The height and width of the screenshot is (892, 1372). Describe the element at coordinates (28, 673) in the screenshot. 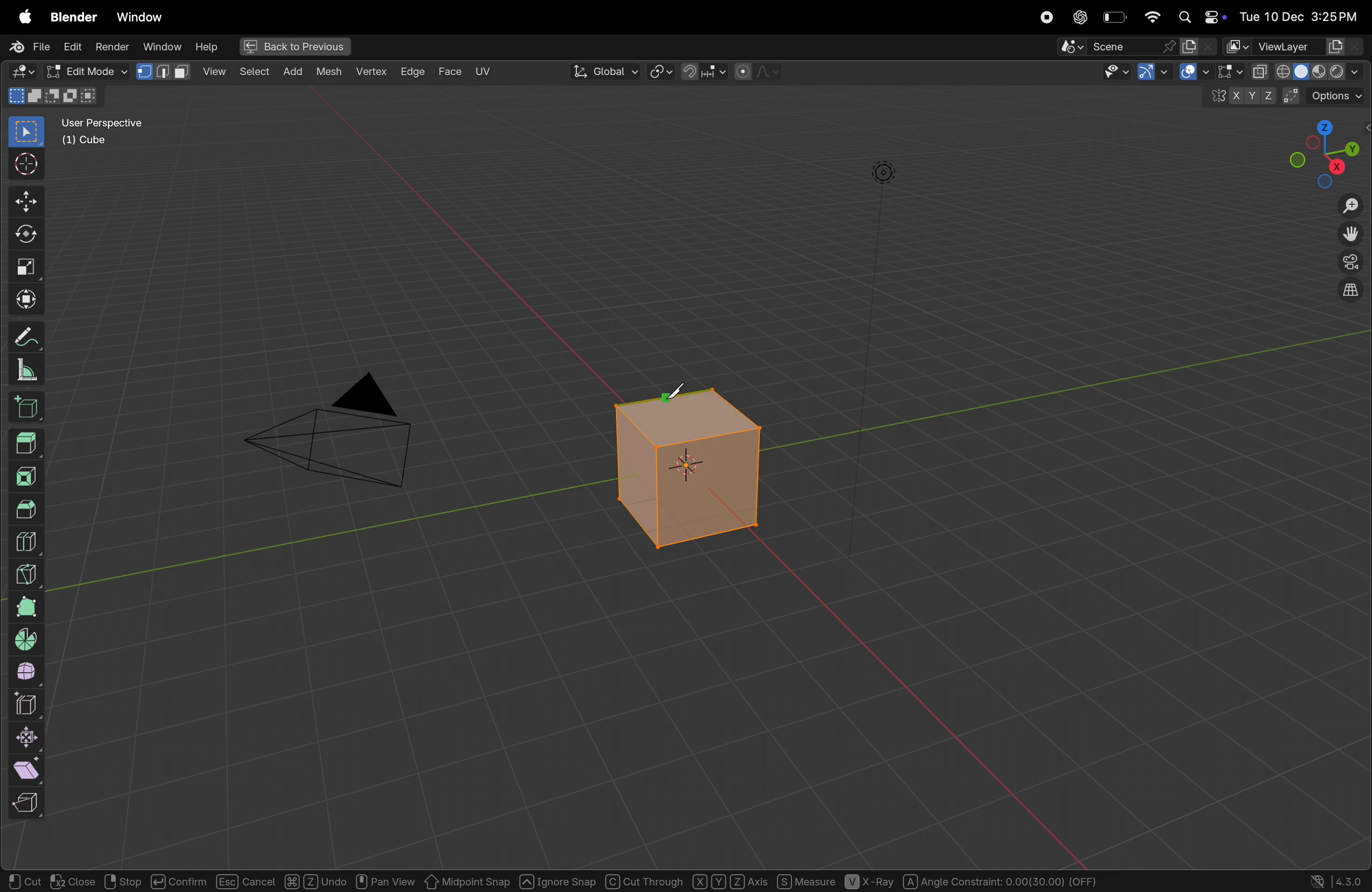

I see `smooth edge` at that location.